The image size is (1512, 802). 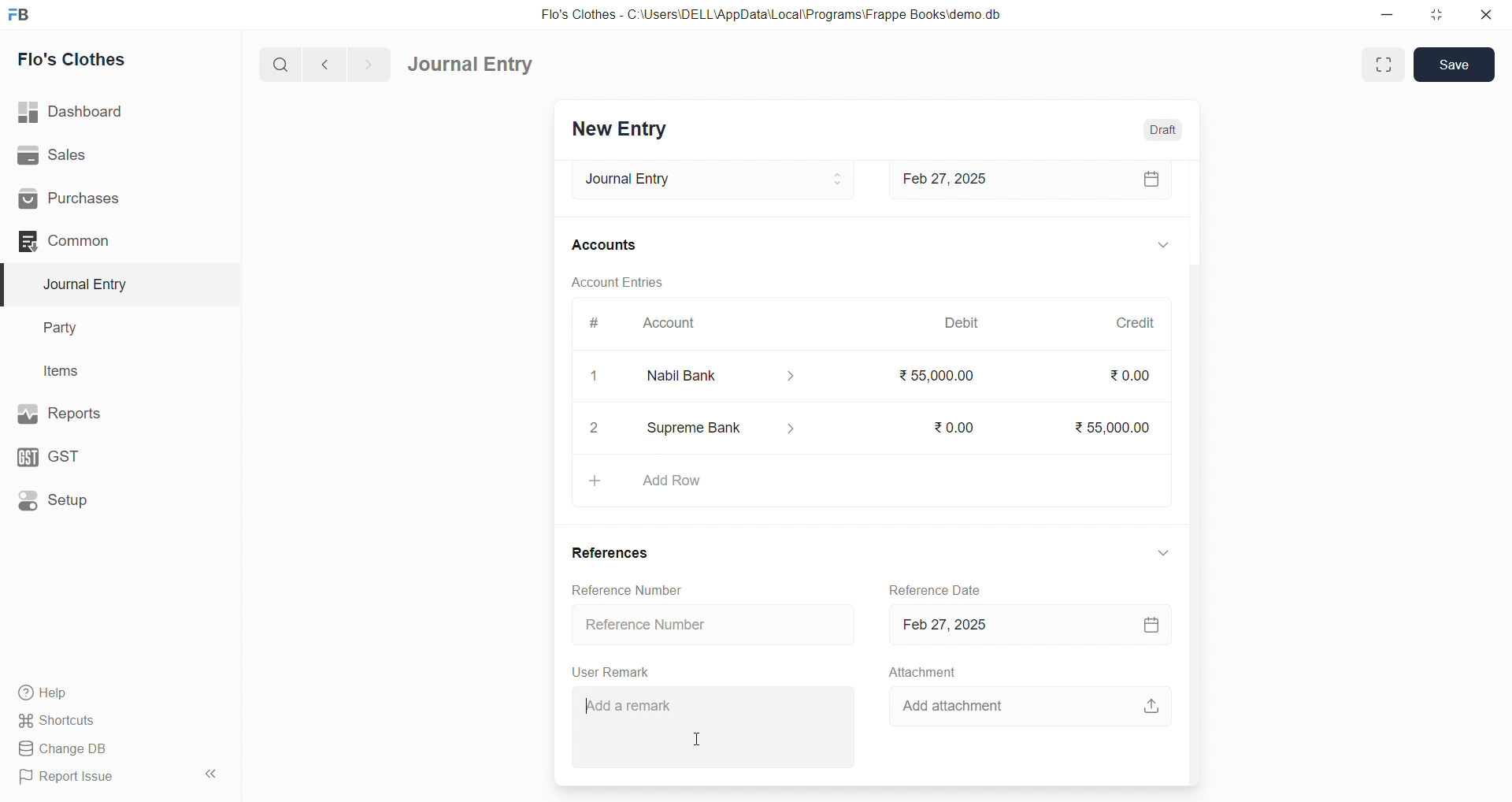 What do you see at coordinates (717, 726) in the screenshot?
I see `Add a remark` at bounding box center [717, 726].